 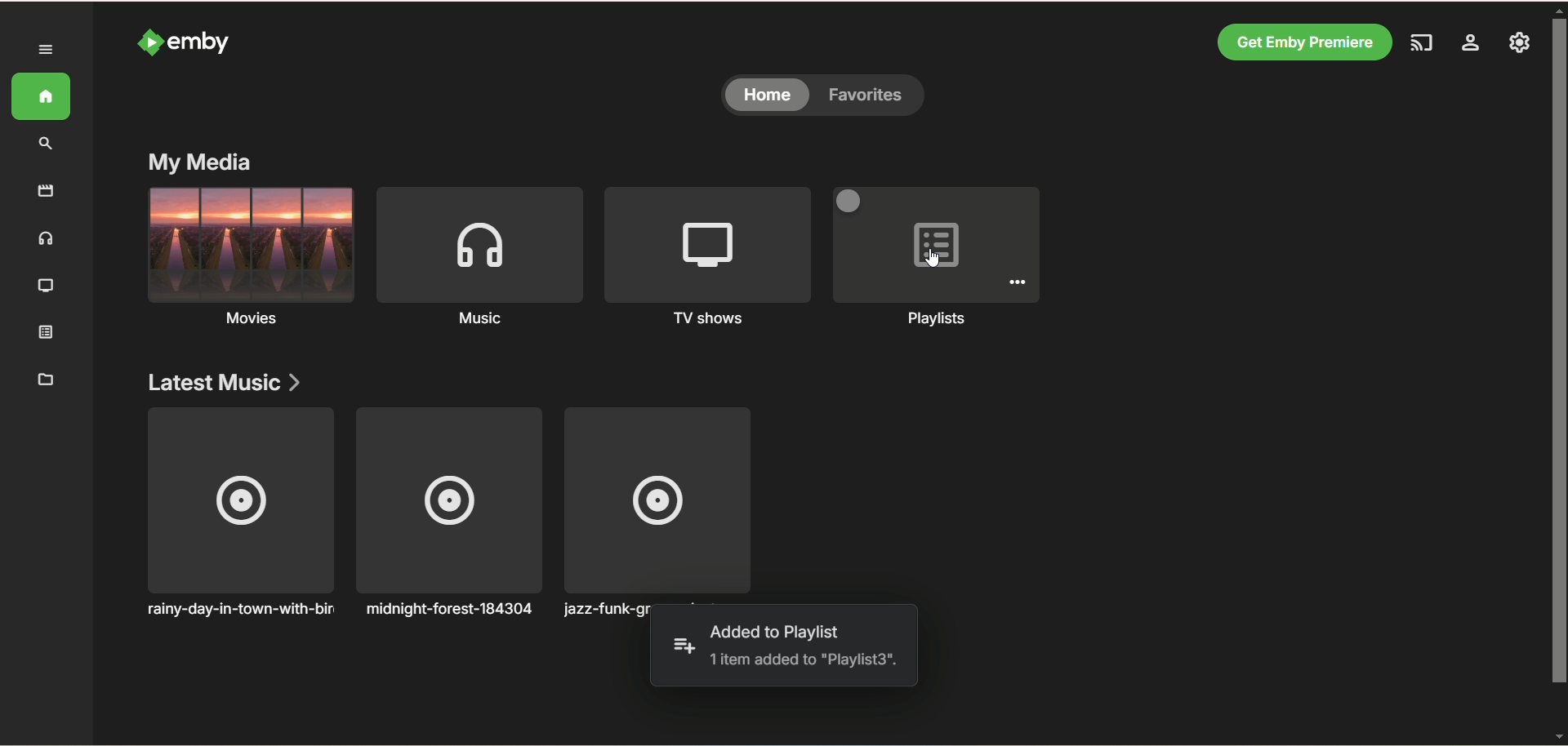 What do you see at coordinates (1419, 45) in the screenshot?
I see `play on another device` at bounding box center [1419, 45].